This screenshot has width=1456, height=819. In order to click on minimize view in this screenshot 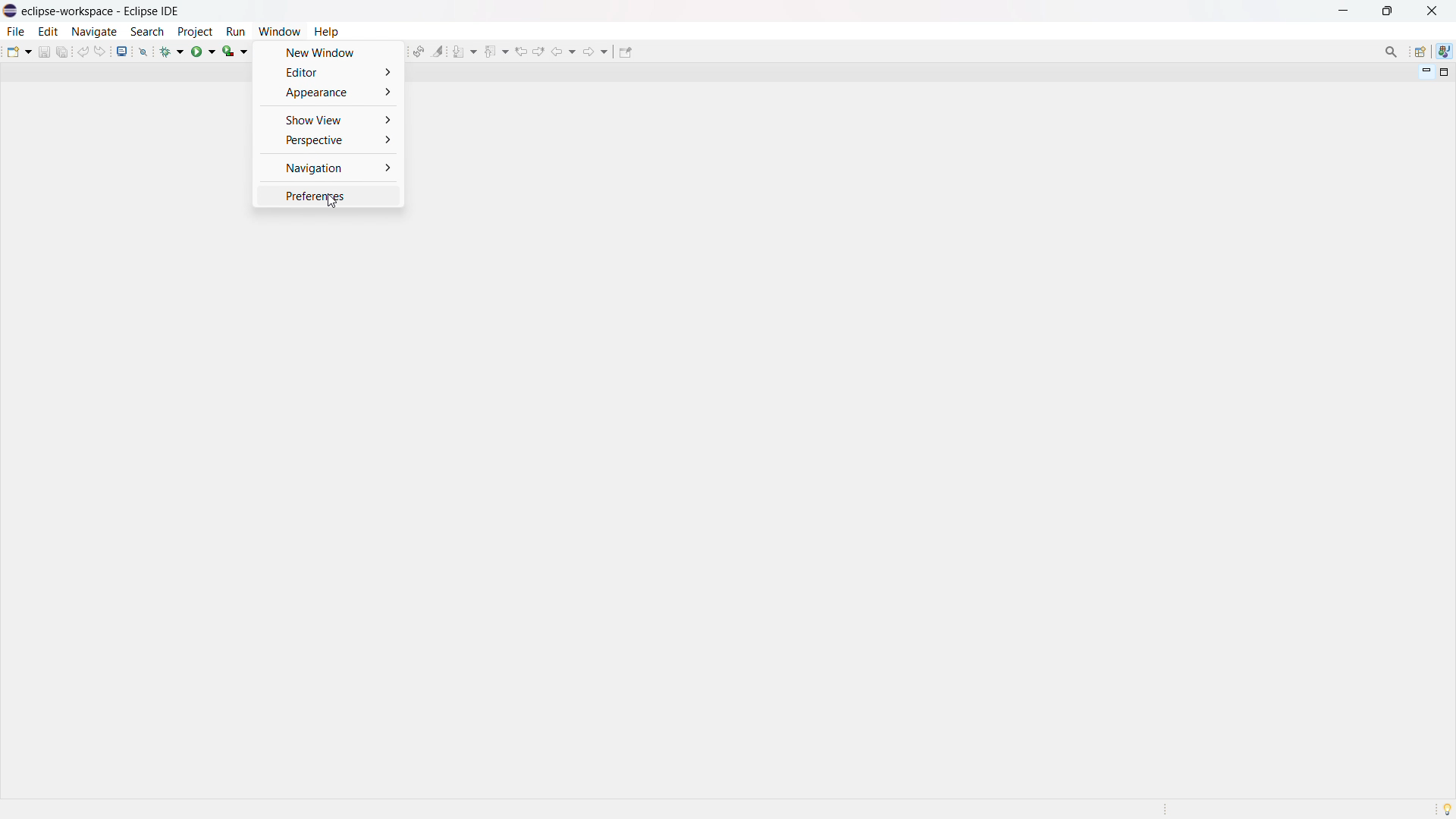, I will do `click(1424, 71)`.